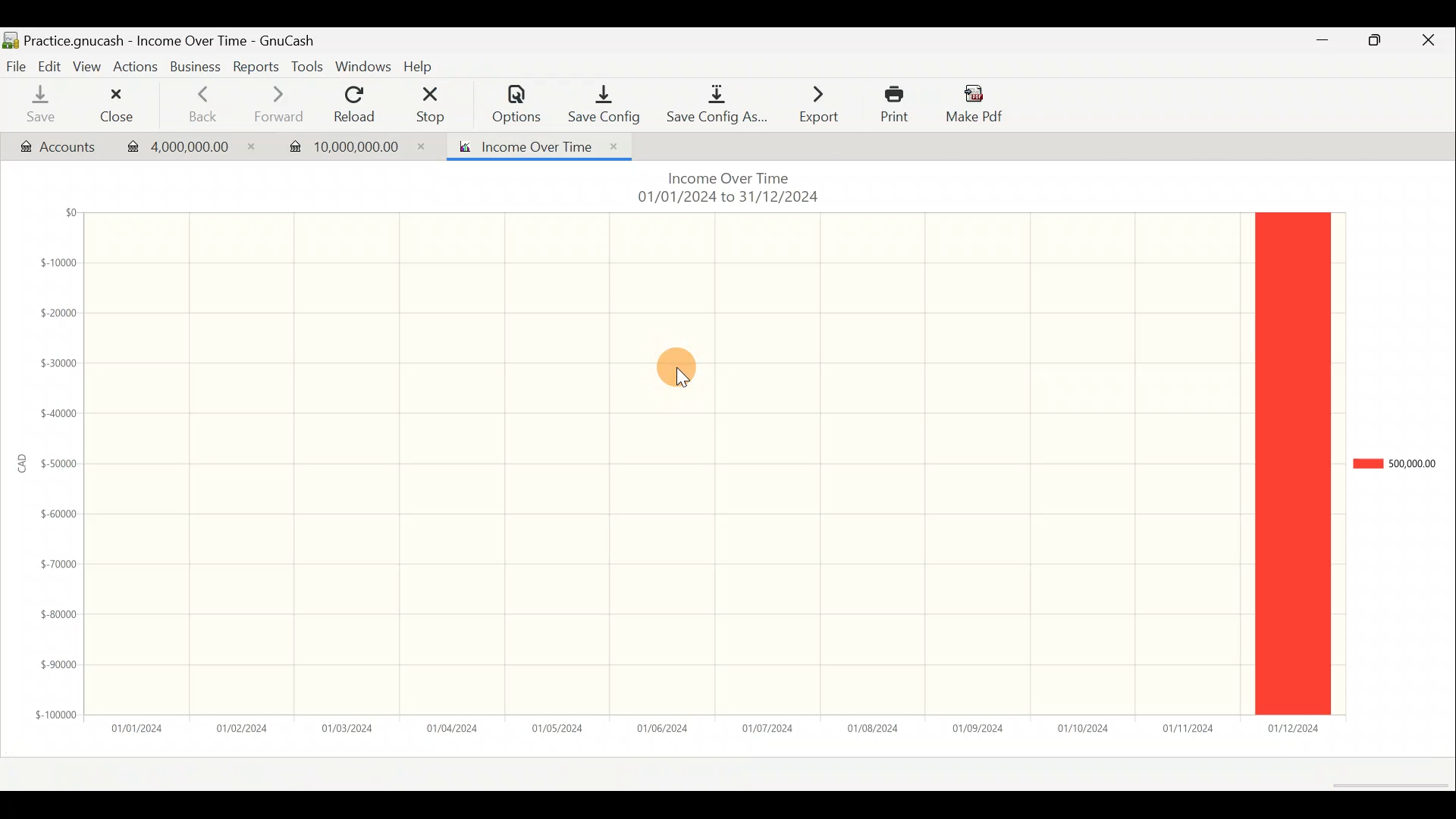  Describe the element at coordinates (1084, 727) in the screenshot. I see `01/10/2024` at that location.